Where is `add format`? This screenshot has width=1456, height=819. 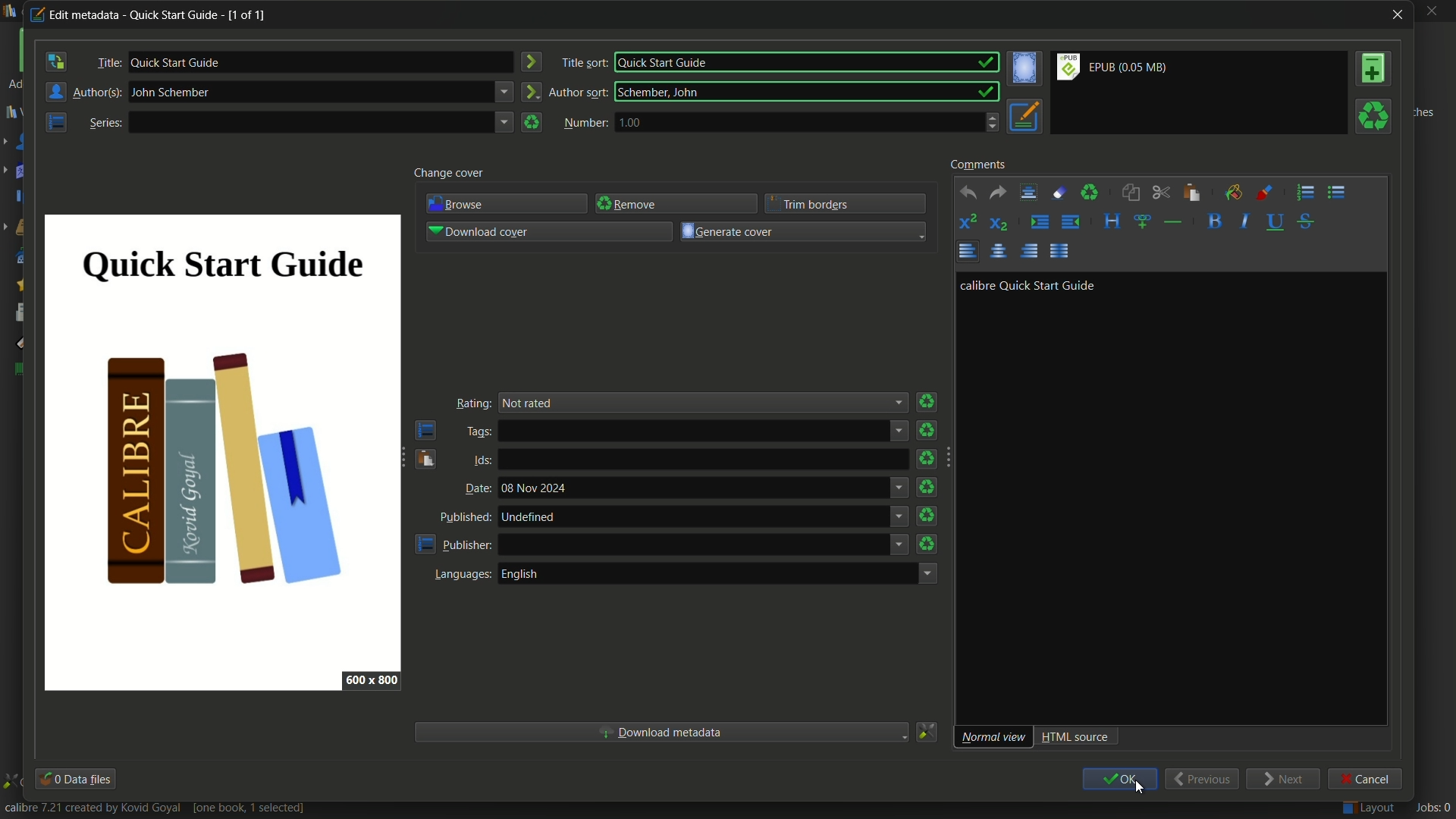 add format is located at coordinates (1373, 71).